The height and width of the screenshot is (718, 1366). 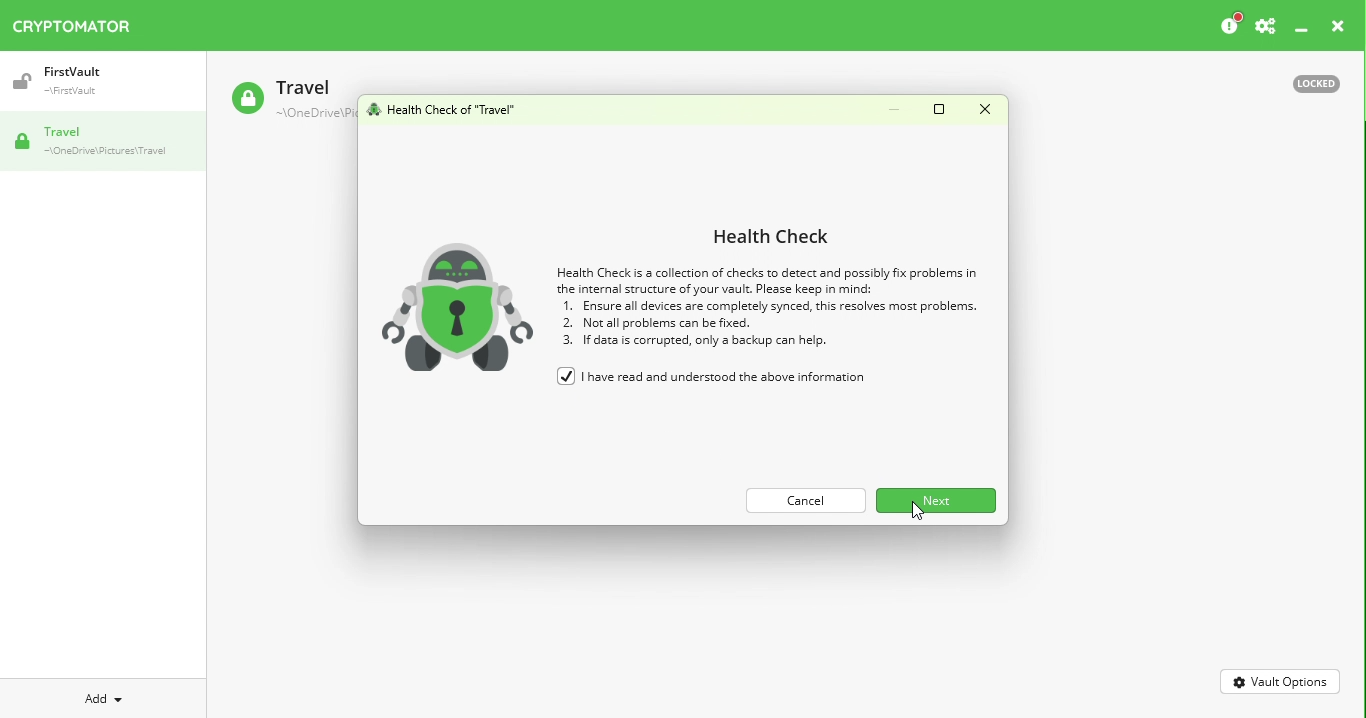 I want to click on Cance, so click(x=808, y=500).